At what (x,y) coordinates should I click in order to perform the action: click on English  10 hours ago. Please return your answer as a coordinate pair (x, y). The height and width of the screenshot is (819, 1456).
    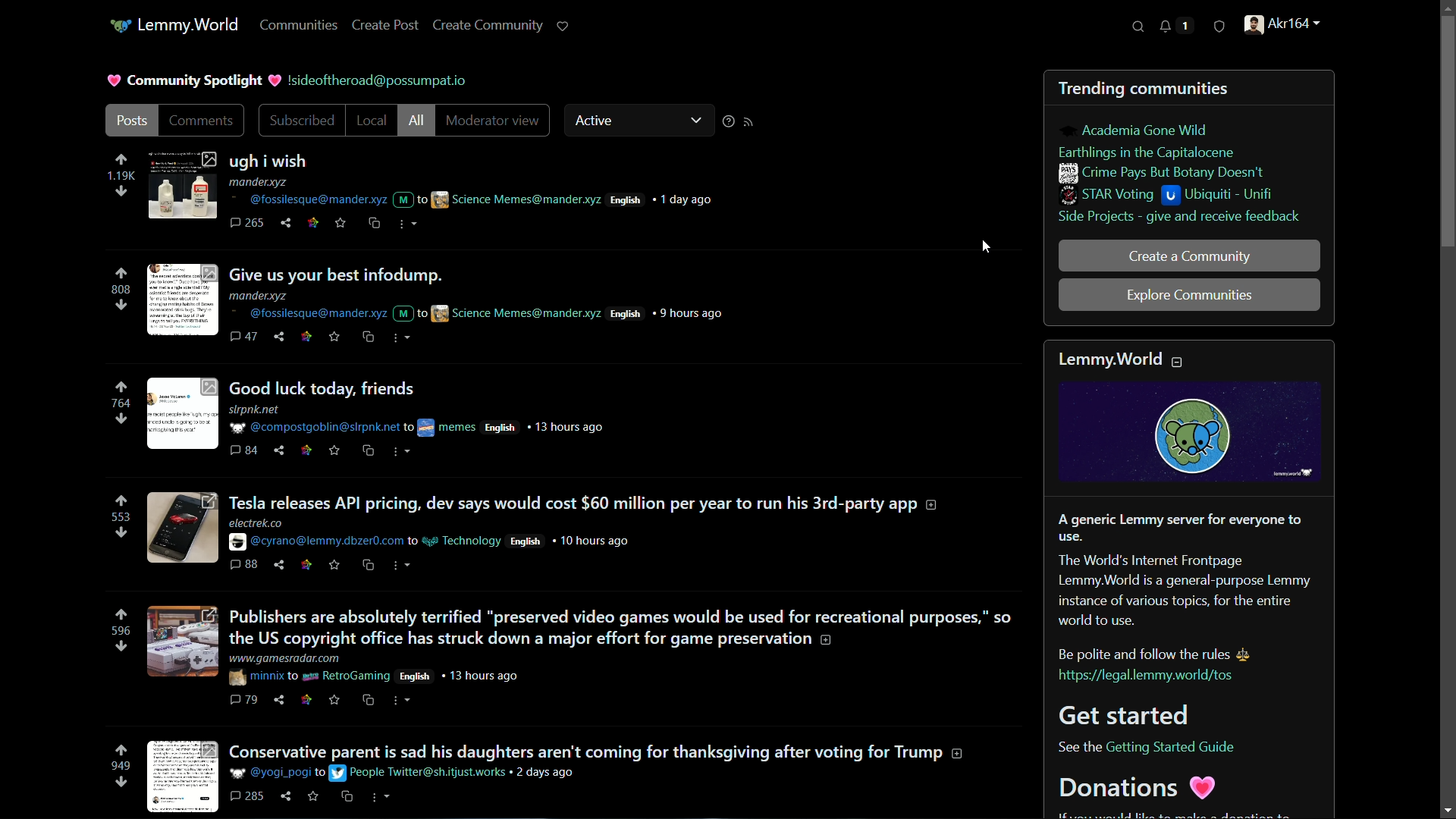
    Looking at the image, I should click on (569, 542).